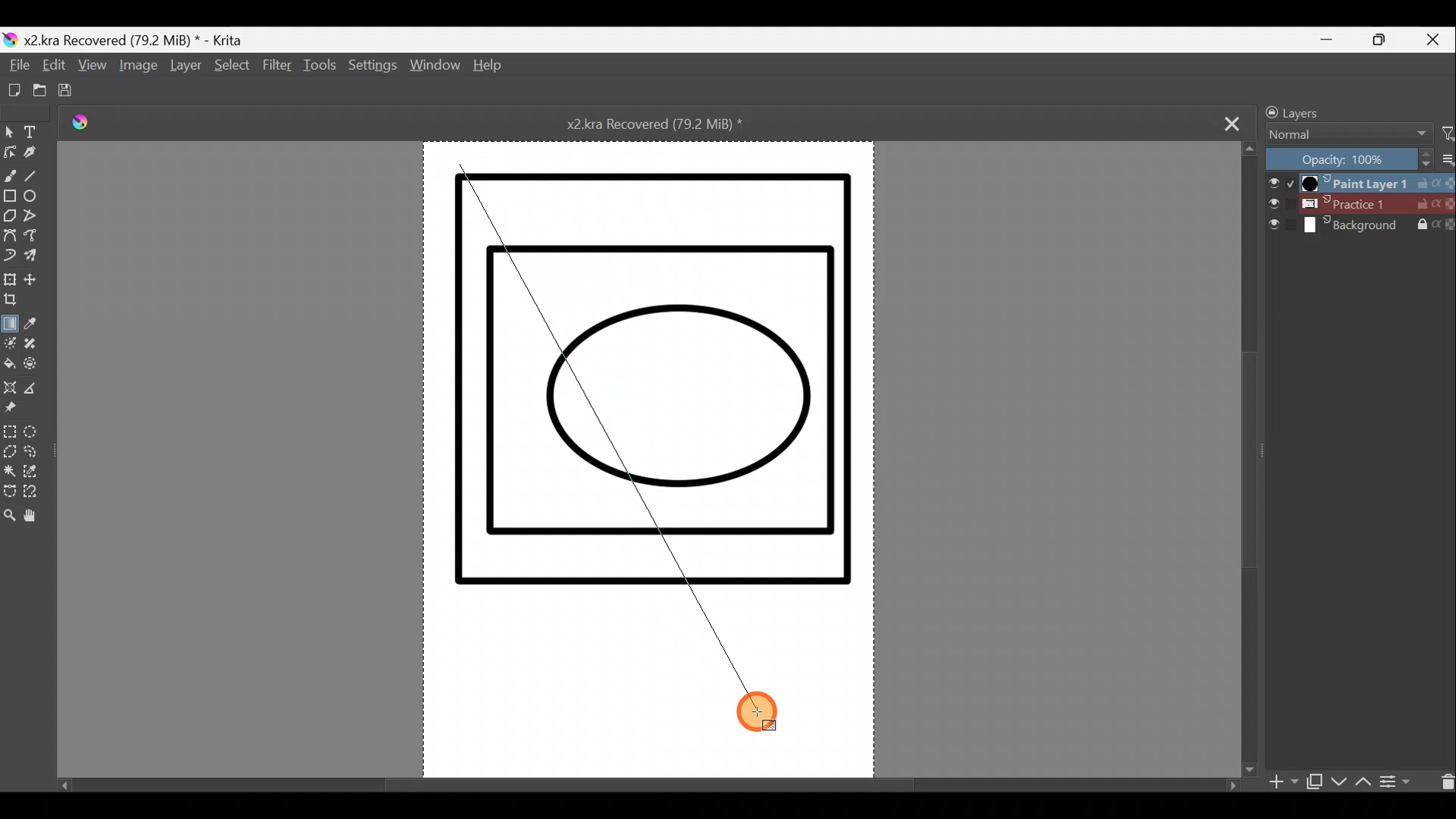 The width and height of the screenshot is (1456, 819). Describe the element at coordinates (35, 132) in the screenshot. I see `Text tool` at that location.